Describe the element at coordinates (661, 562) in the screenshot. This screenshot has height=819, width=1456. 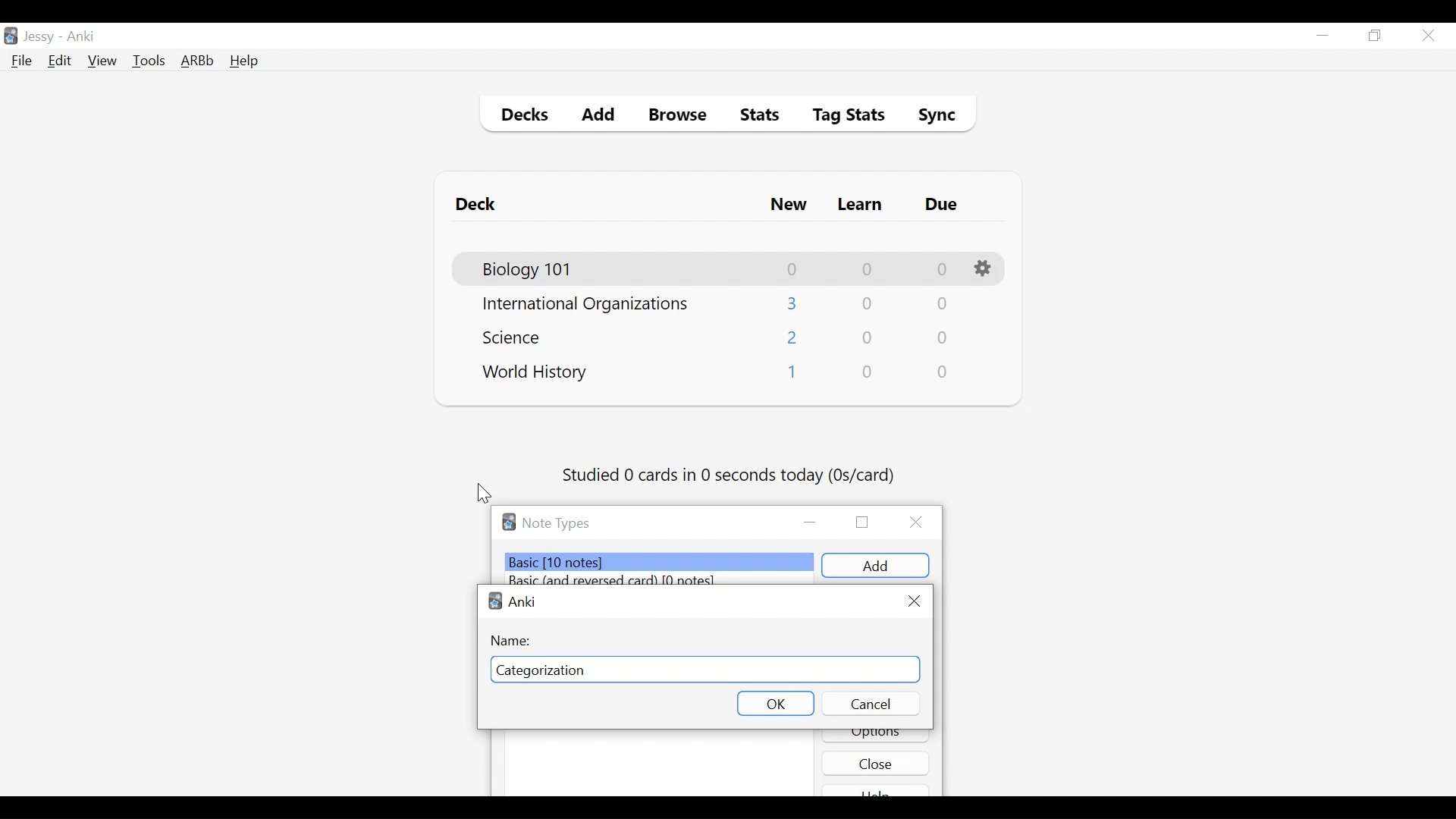
I see `Basic (number of notes)` at that location.